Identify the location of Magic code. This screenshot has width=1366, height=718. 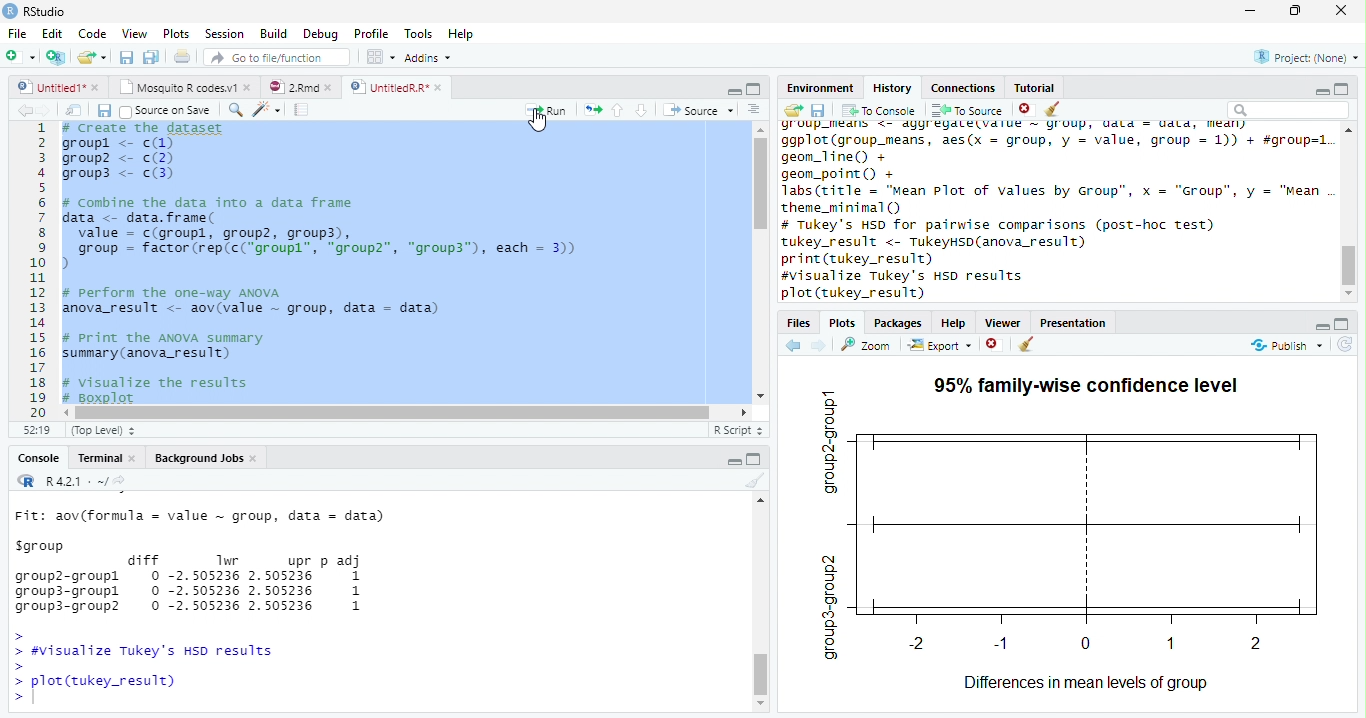
(267, 111).